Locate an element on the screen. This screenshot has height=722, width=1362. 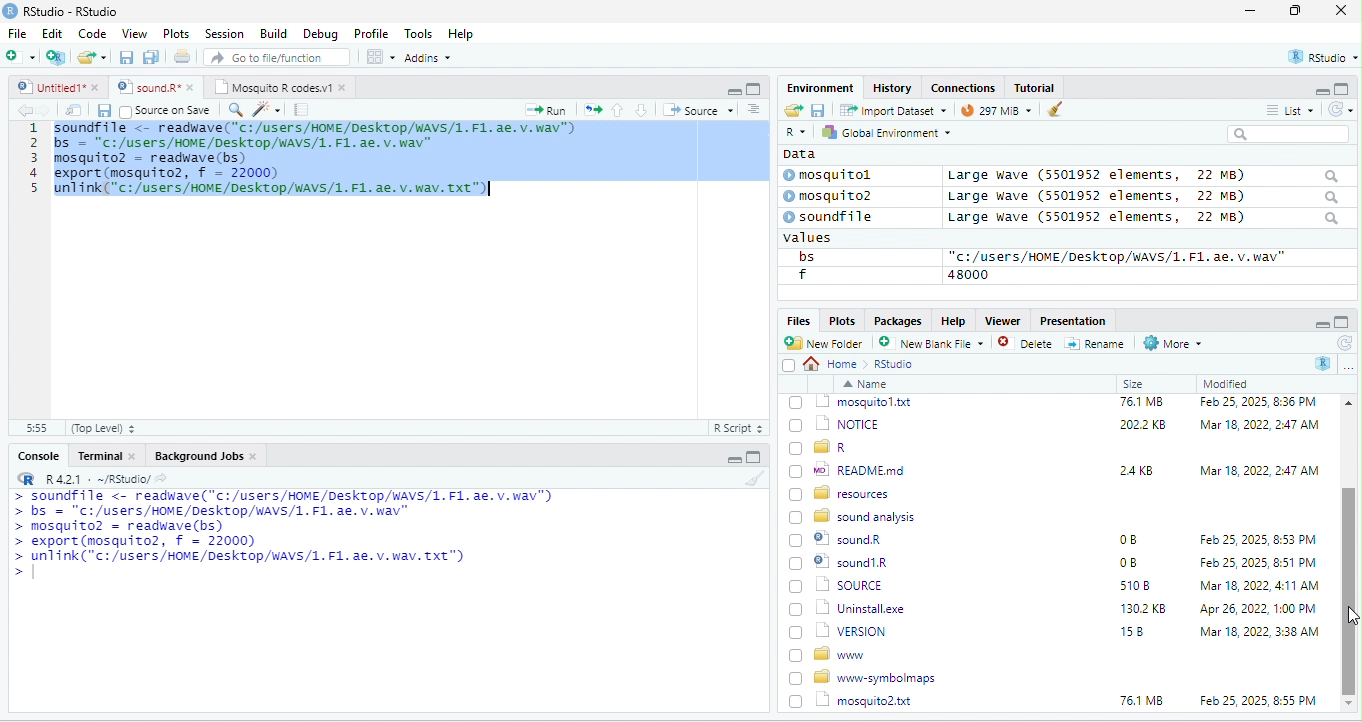
scroll bar is located at coordinates (759, 267).